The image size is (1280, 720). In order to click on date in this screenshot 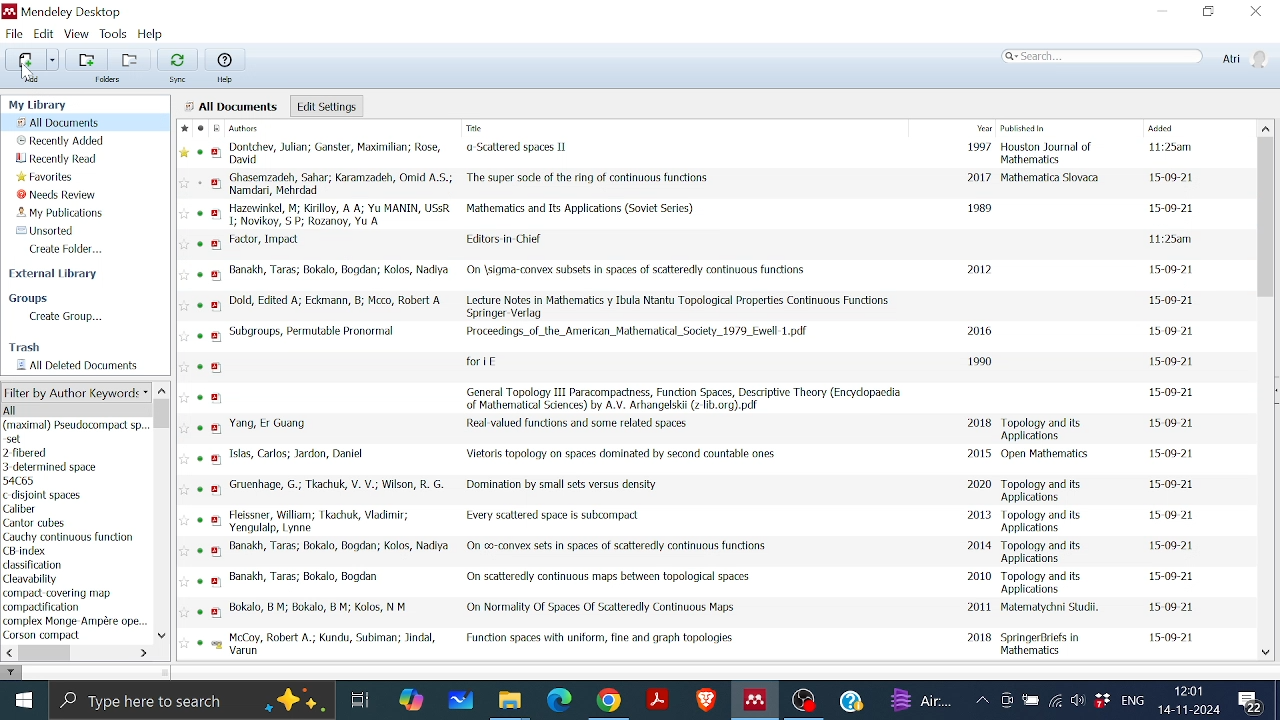, I will do `click(1168, 209)`.